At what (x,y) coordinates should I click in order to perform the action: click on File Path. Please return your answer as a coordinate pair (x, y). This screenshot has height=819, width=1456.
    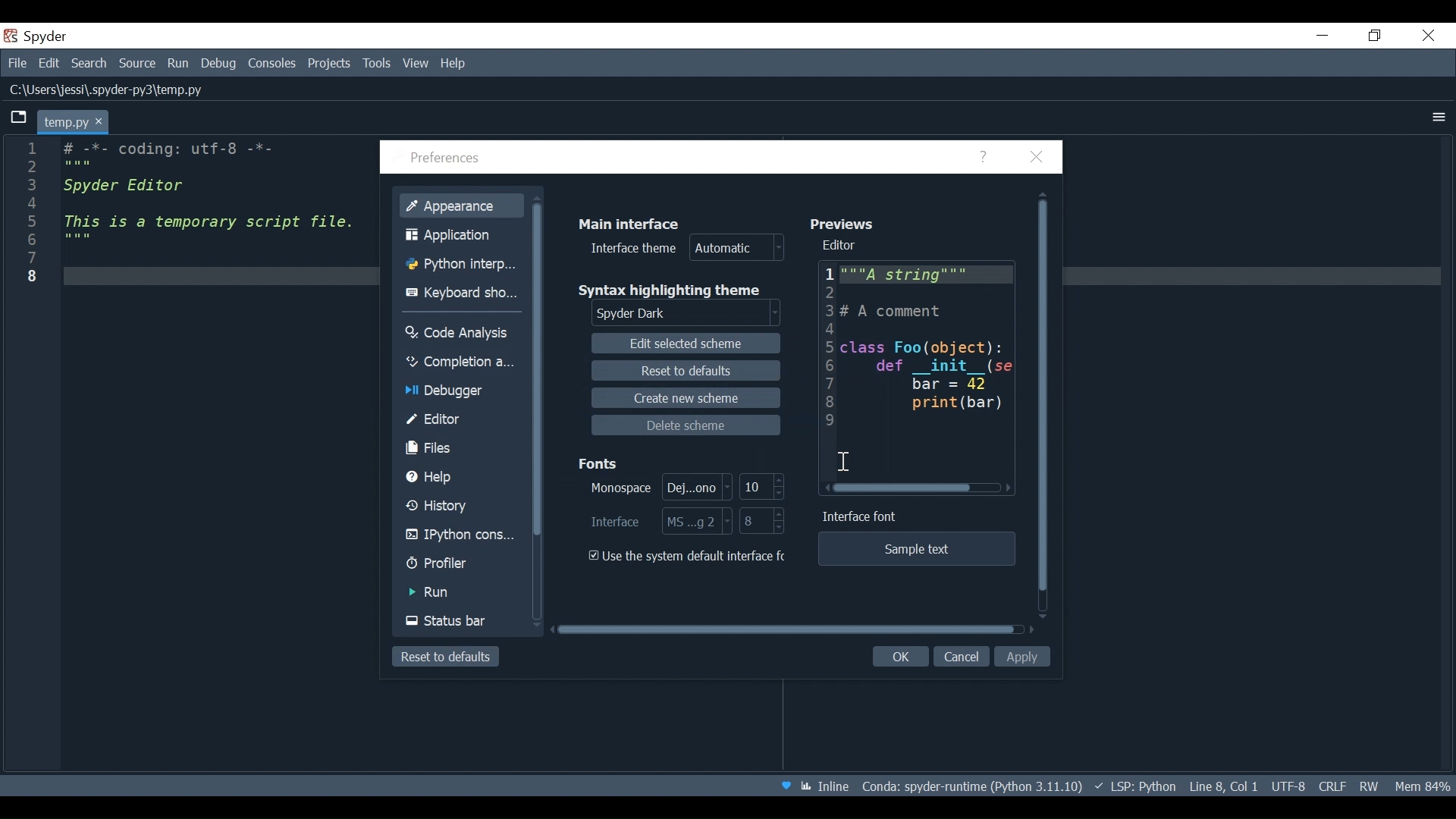
    Looking at the image, I should click on (108, 91).